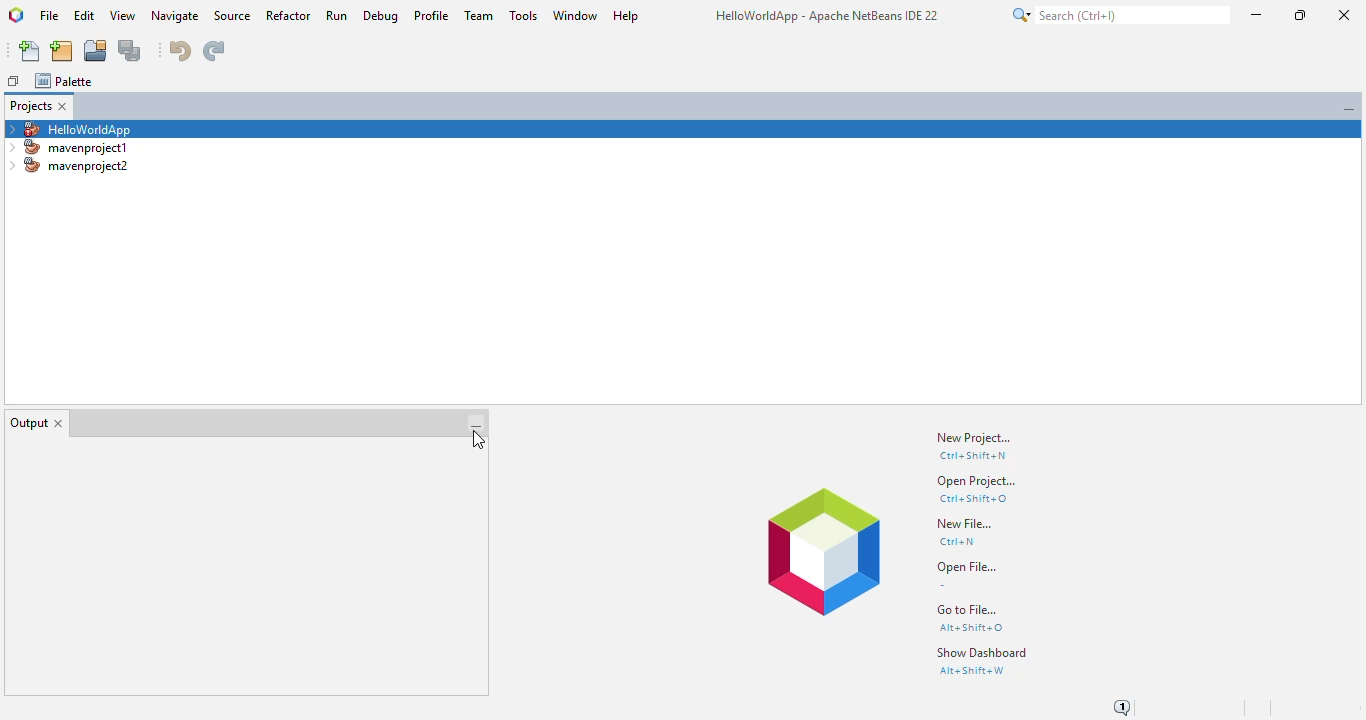 The image size is (1366, 720). I want to click on logo, so click(16, 15).